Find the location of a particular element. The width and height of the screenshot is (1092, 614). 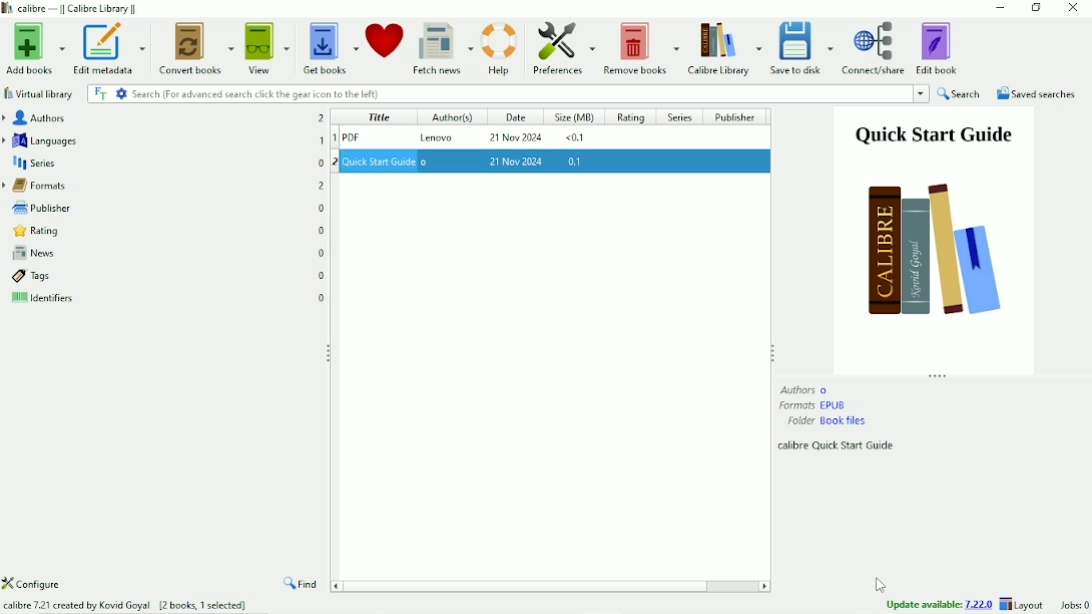

Resize is located at coordinates (939, 376).